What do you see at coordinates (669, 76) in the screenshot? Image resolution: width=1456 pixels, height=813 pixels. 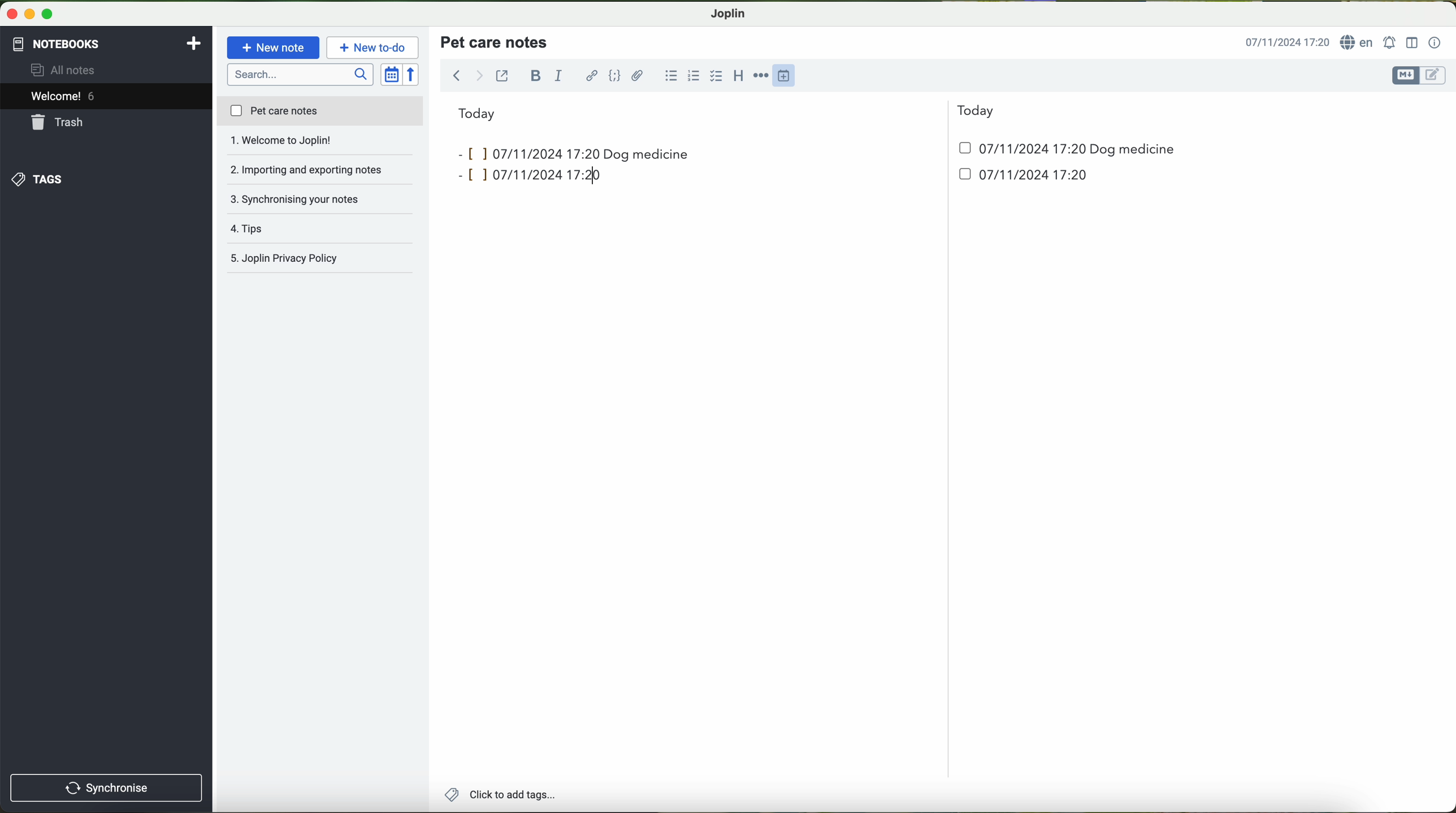 I see `bulleted list` at bounding box center [669, 76].